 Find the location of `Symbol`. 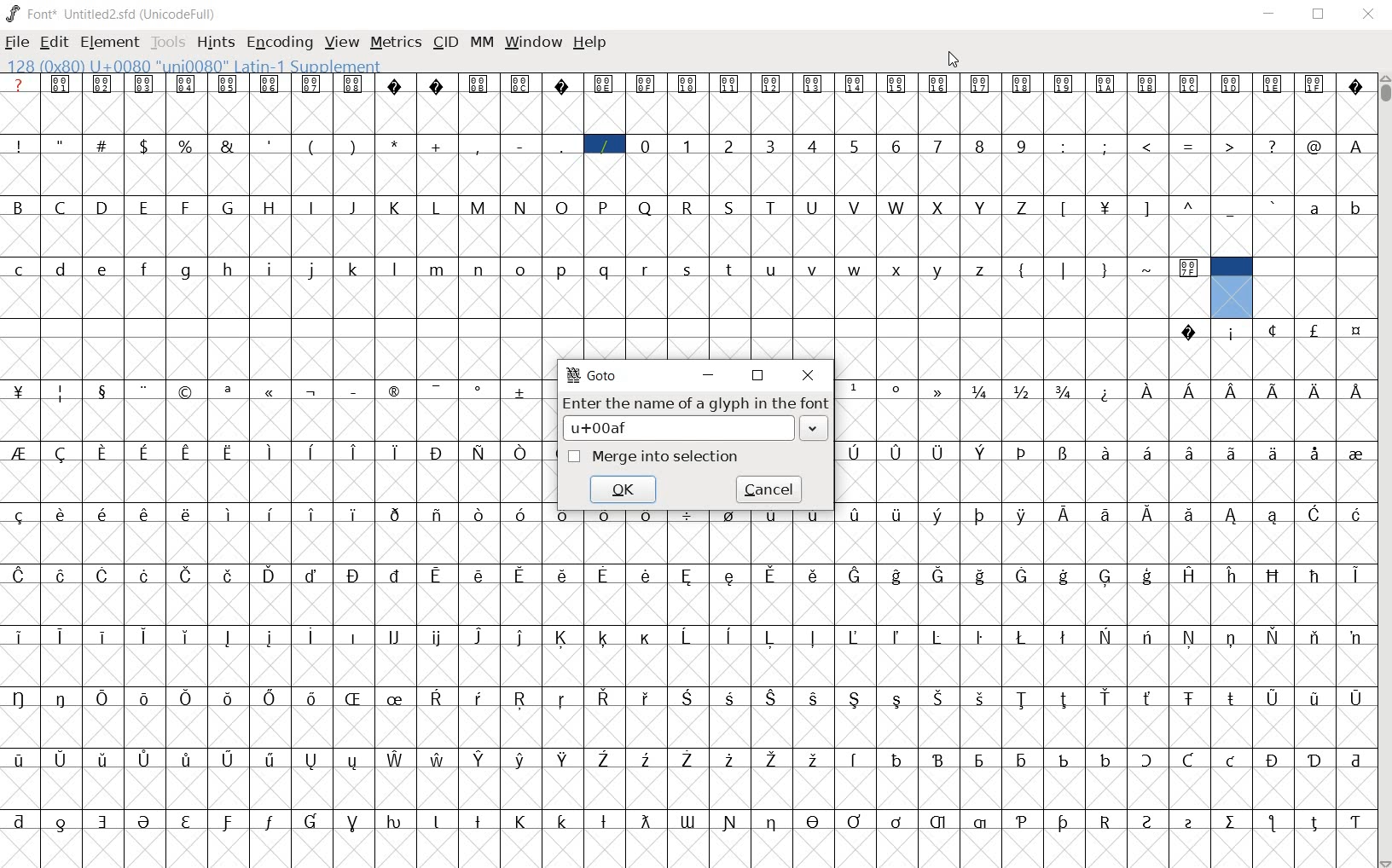

Symbol is located at coordinates (983, 84).